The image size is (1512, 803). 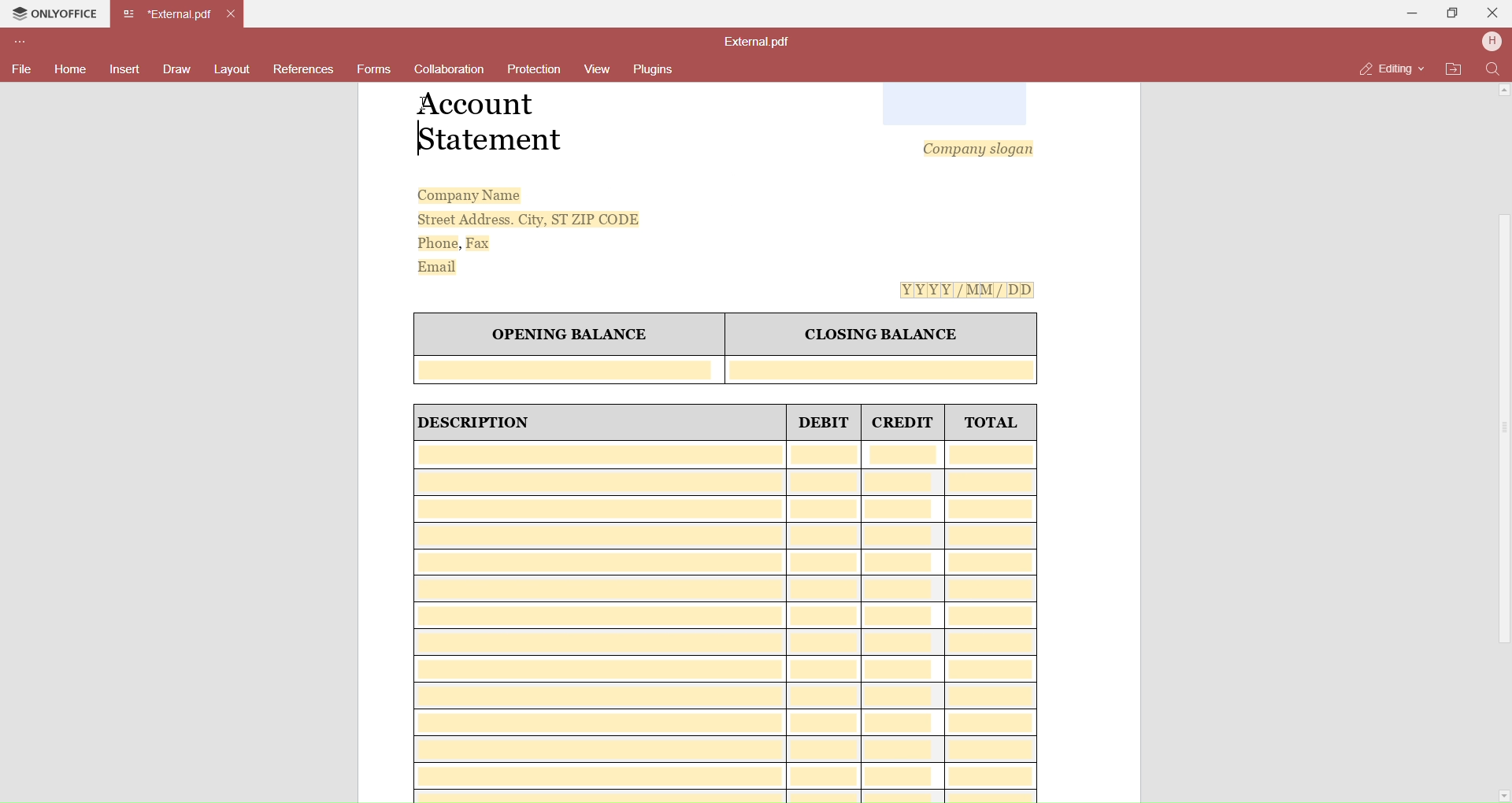 I want to click on CREDIT, so click(x=902, y=422).